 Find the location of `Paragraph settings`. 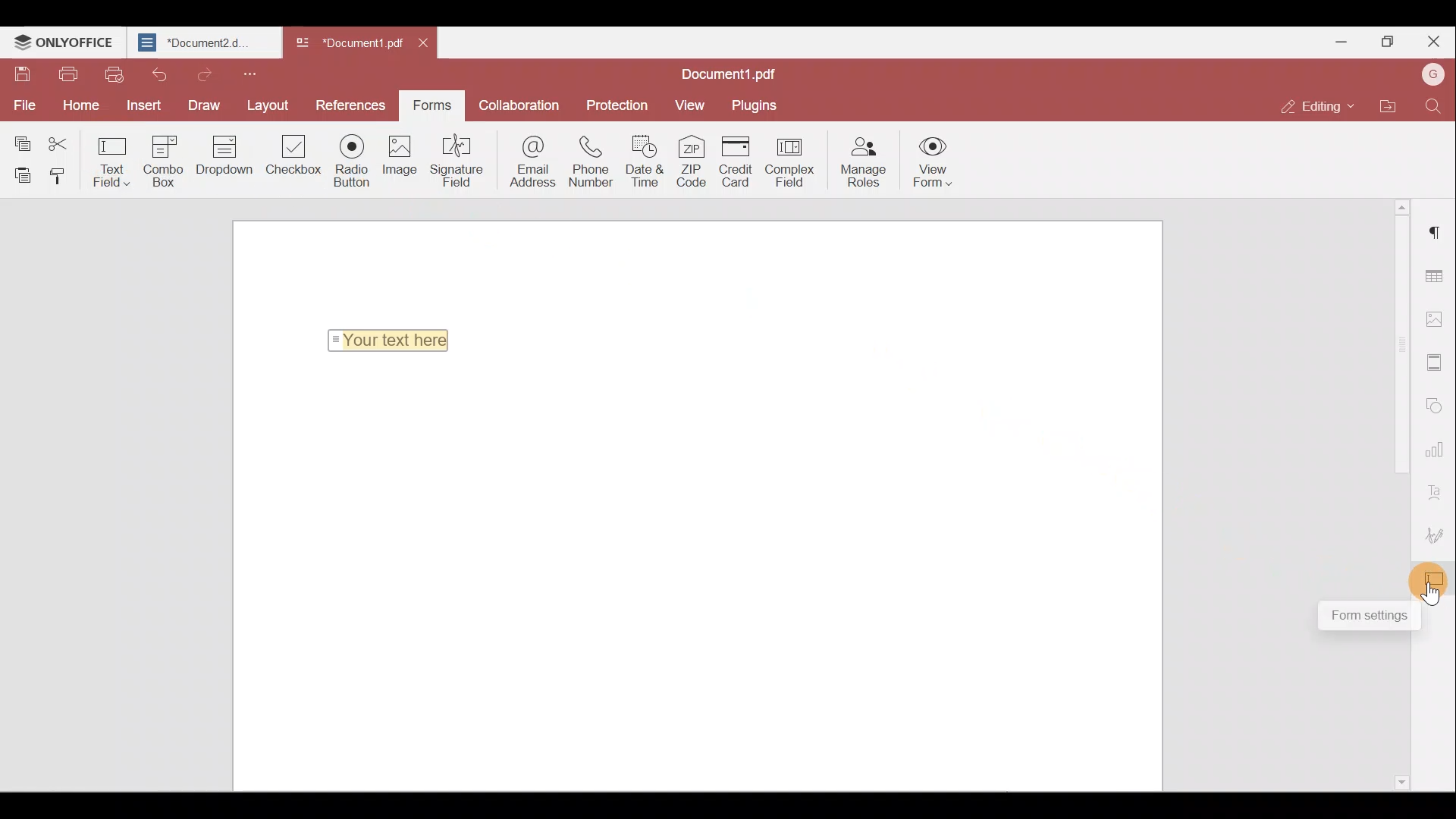

Paragraph settings is located at coordinates (1437, 231).